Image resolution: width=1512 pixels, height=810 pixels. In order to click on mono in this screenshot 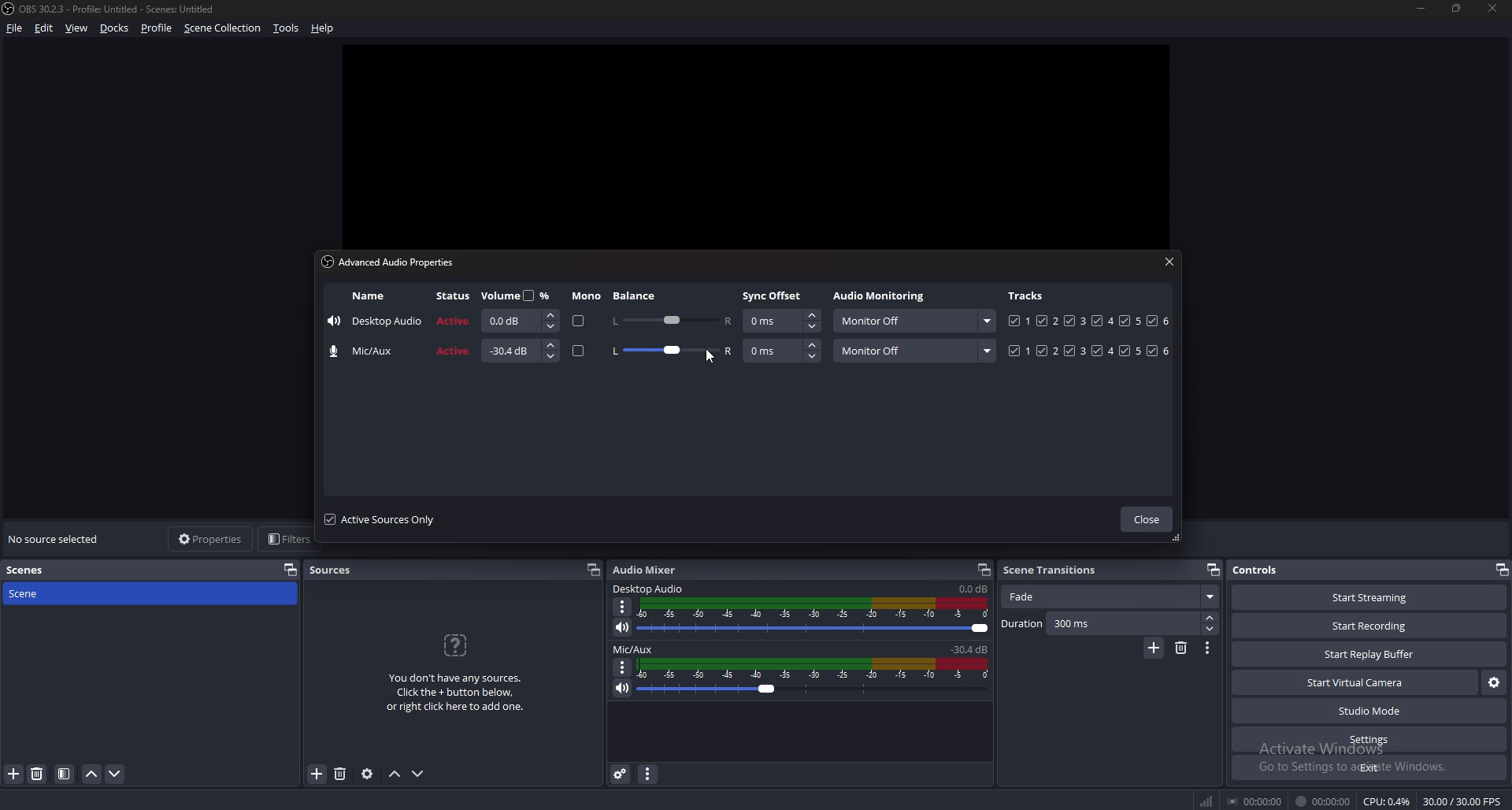, I will do `click(580, 323)`.